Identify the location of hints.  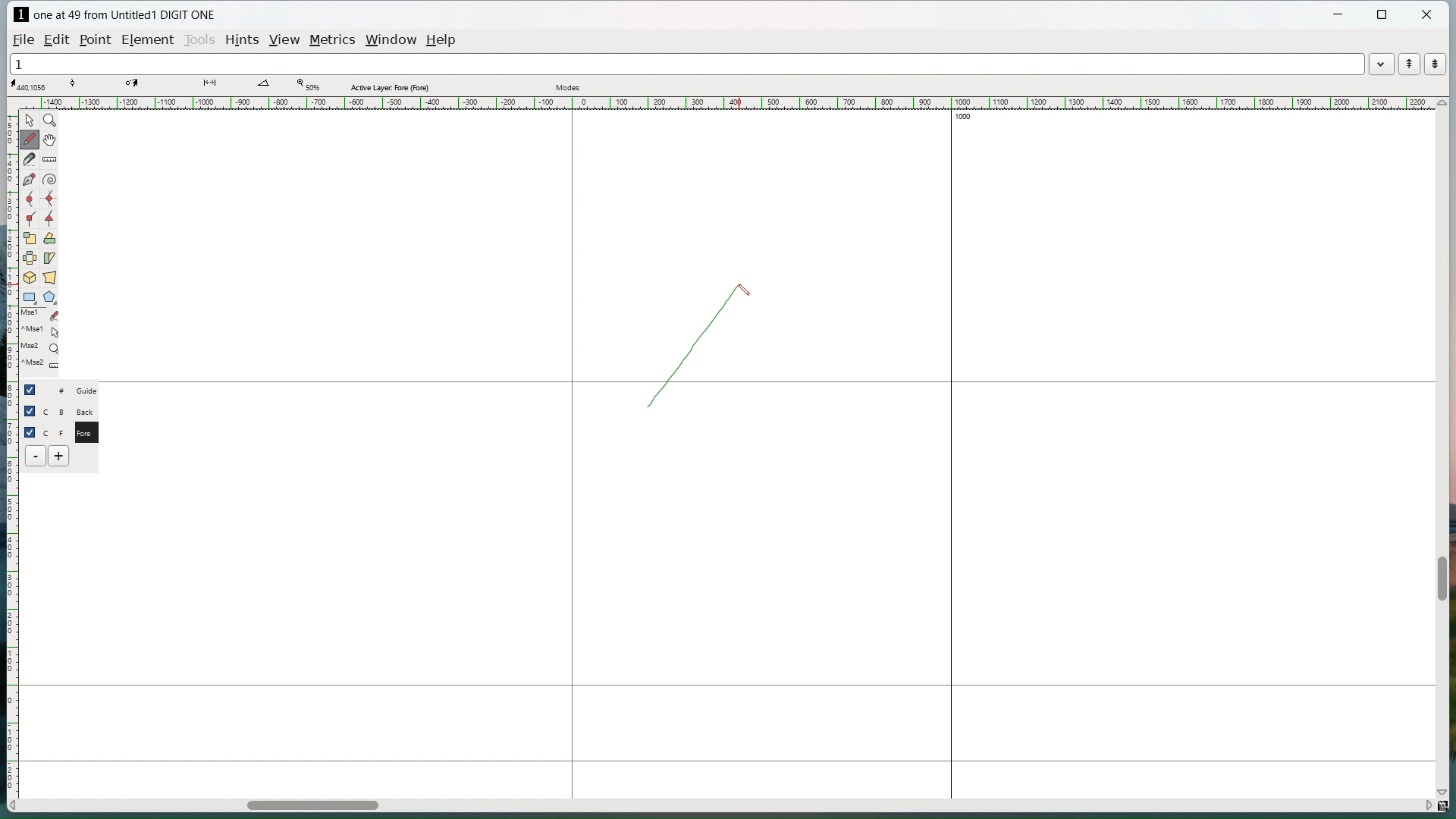
(243, 41).